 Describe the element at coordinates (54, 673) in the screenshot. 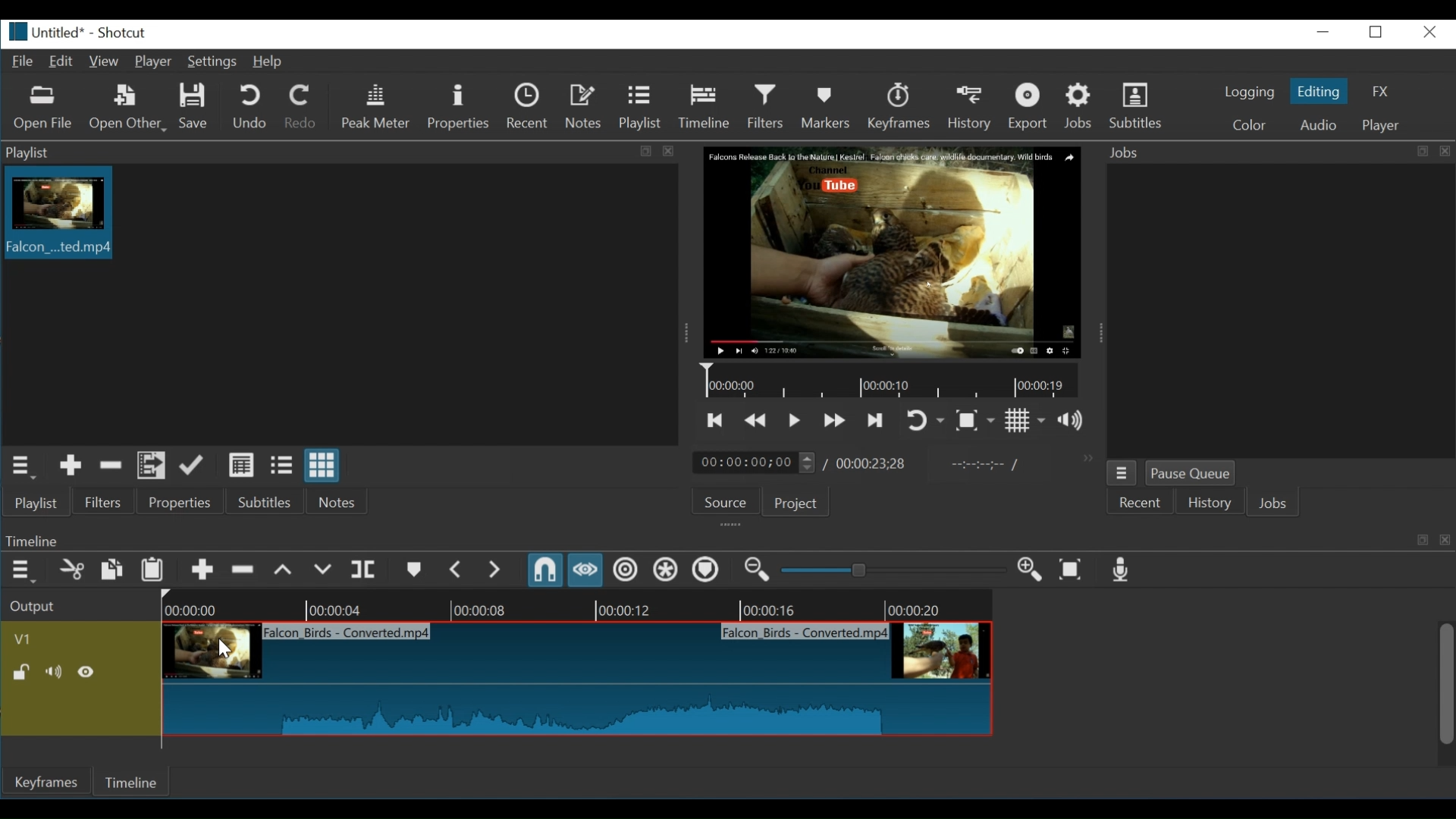

I see `(un)mute` at that location.